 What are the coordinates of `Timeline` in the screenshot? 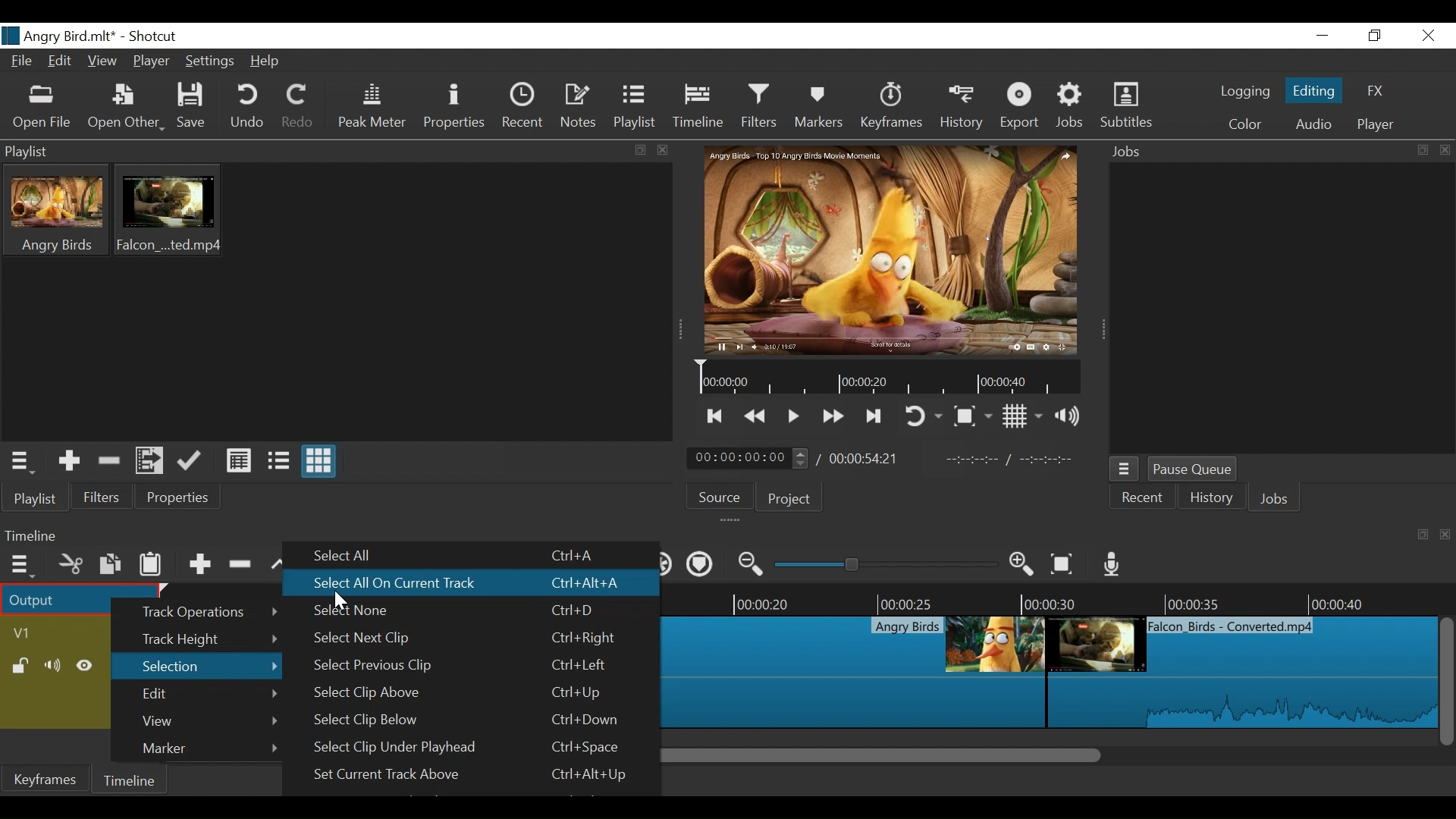 It's located at (130, 780).